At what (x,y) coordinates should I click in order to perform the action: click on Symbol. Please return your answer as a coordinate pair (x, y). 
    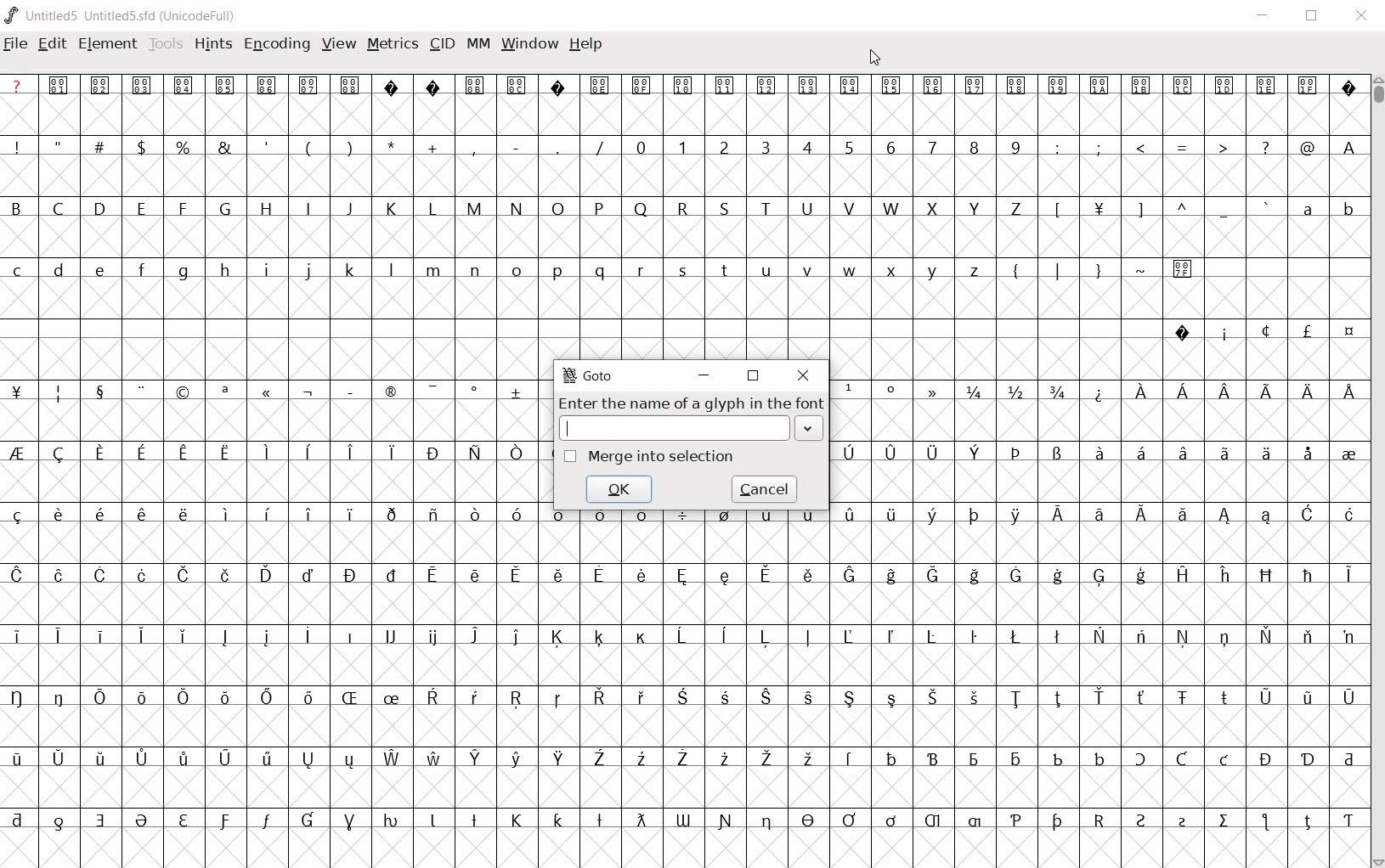
    Looking at the image, I should click on (308, 392).